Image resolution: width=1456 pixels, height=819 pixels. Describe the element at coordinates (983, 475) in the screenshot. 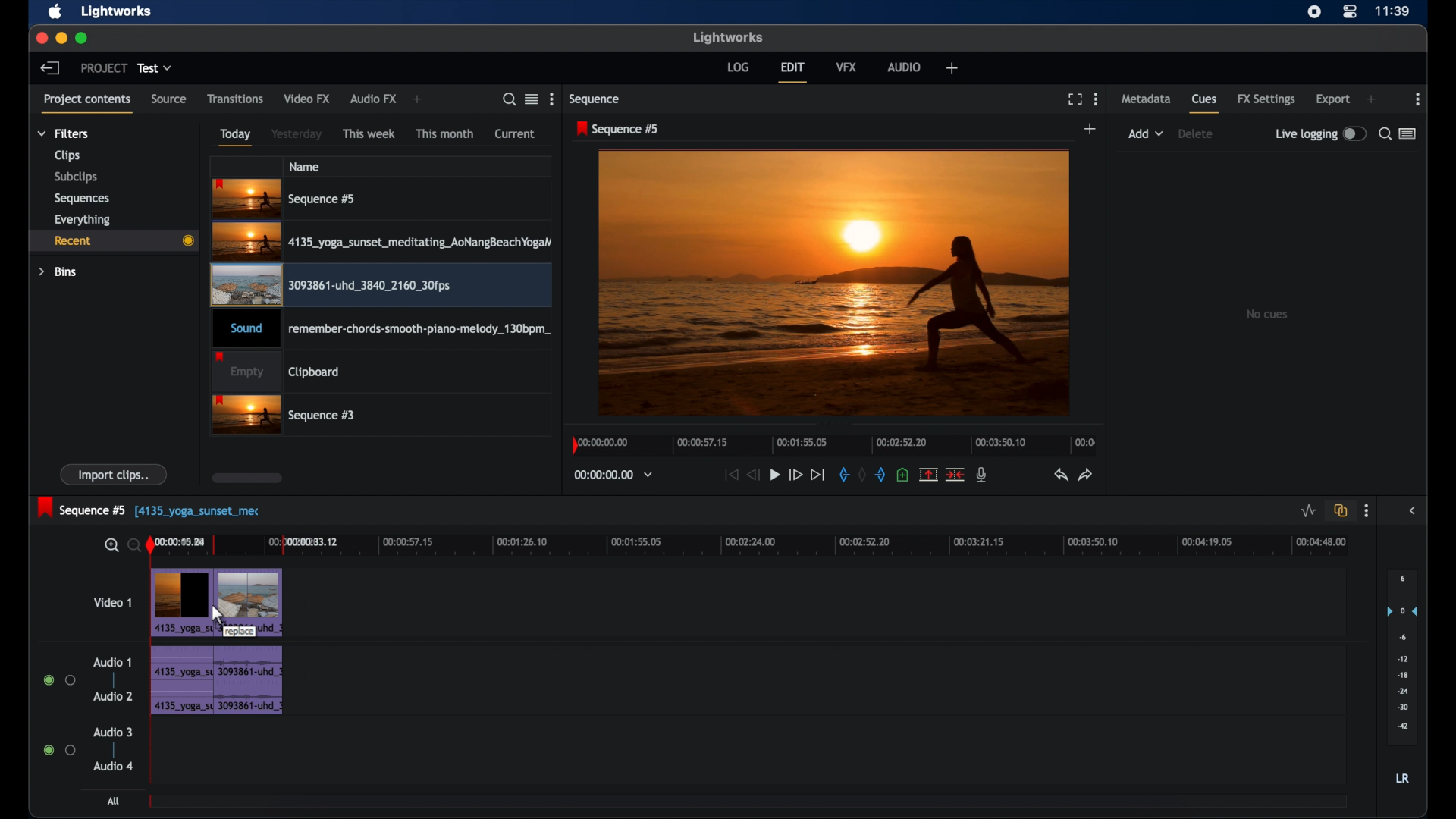

I see `mic` at that location.